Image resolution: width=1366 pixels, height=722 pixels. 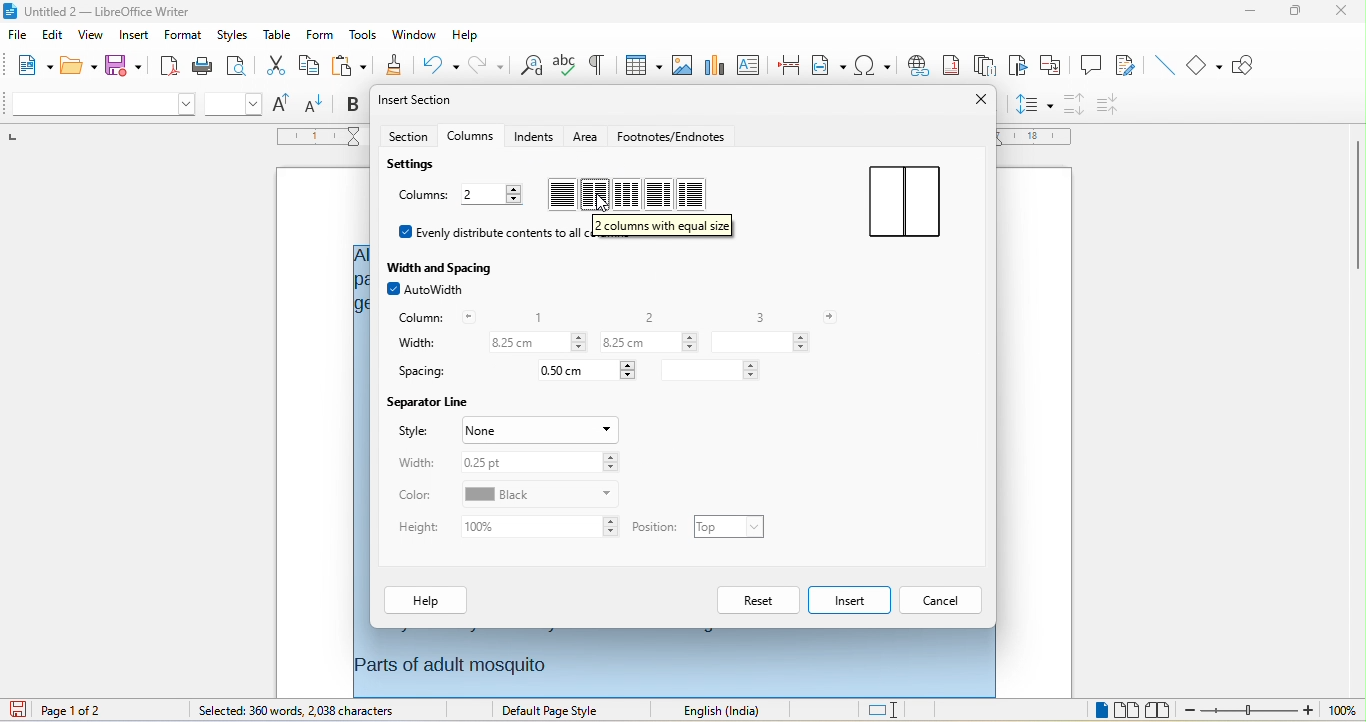 What do you see at coordinates (1090, 64) in the screenshot?
I see `comment` at bounding box center [1090, 64].